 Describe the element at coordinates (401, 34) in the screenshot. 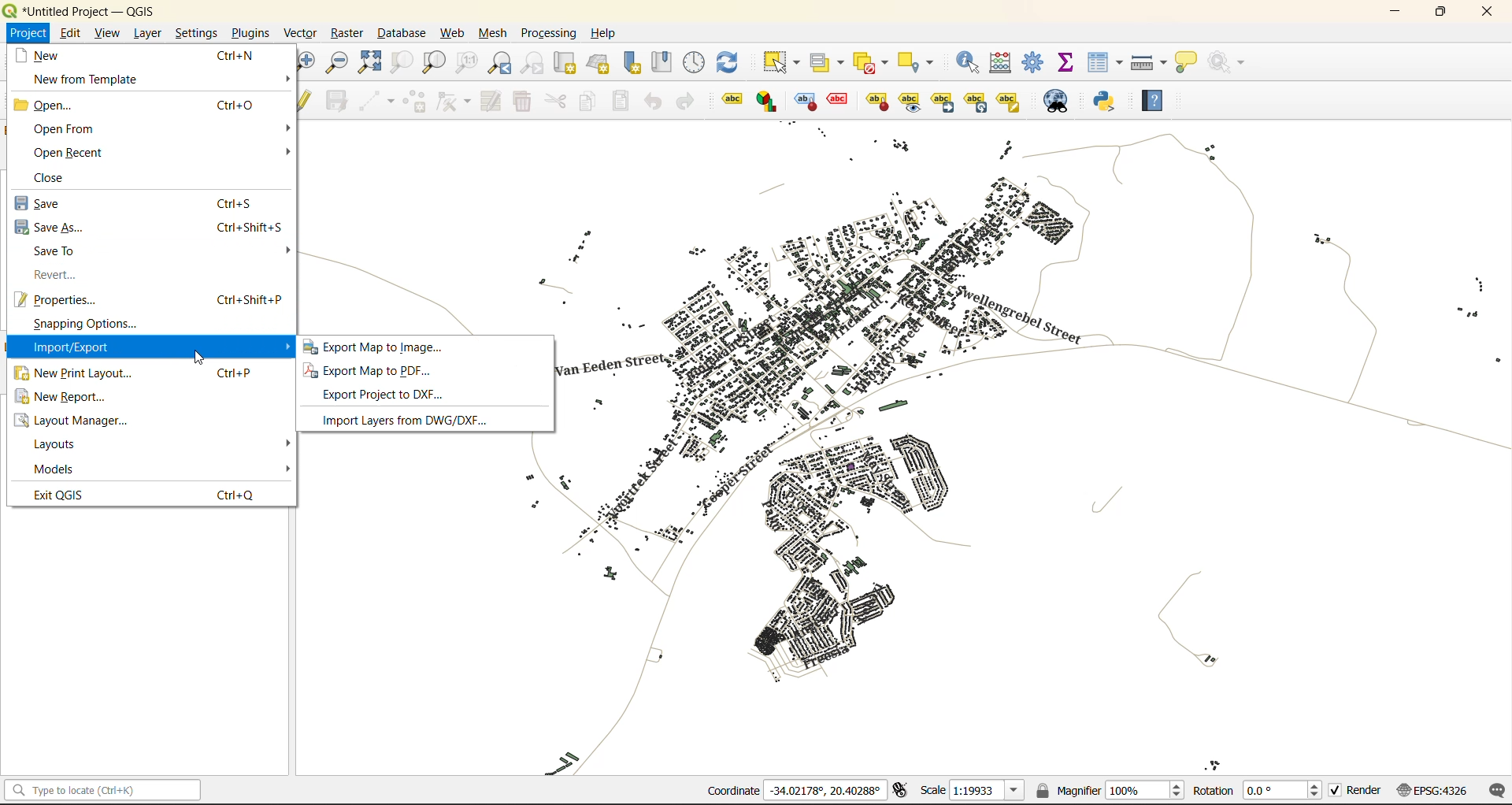

I see `database` at that location.